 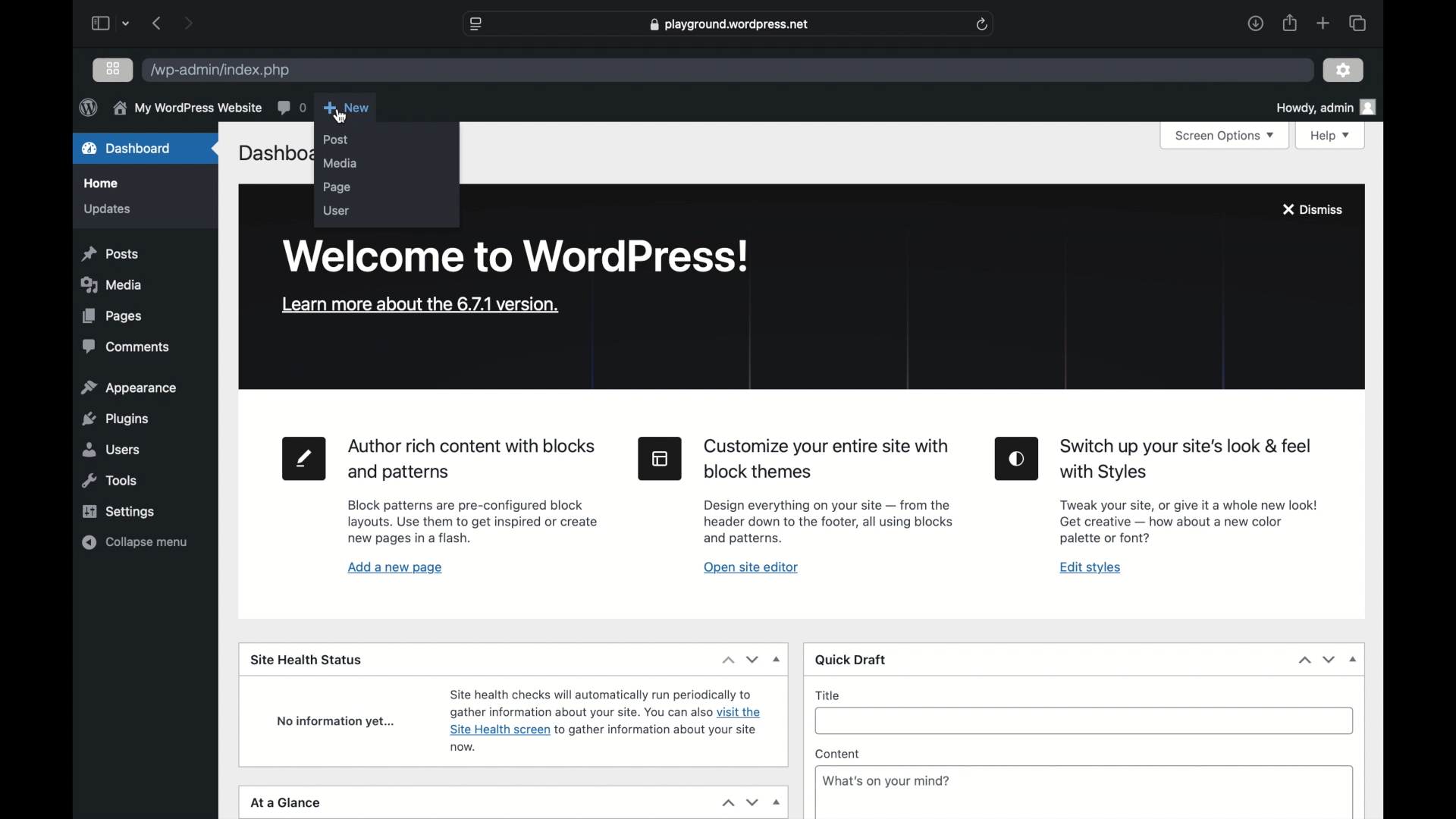 I want to click on collapse menu, so click(x=135, y=542).